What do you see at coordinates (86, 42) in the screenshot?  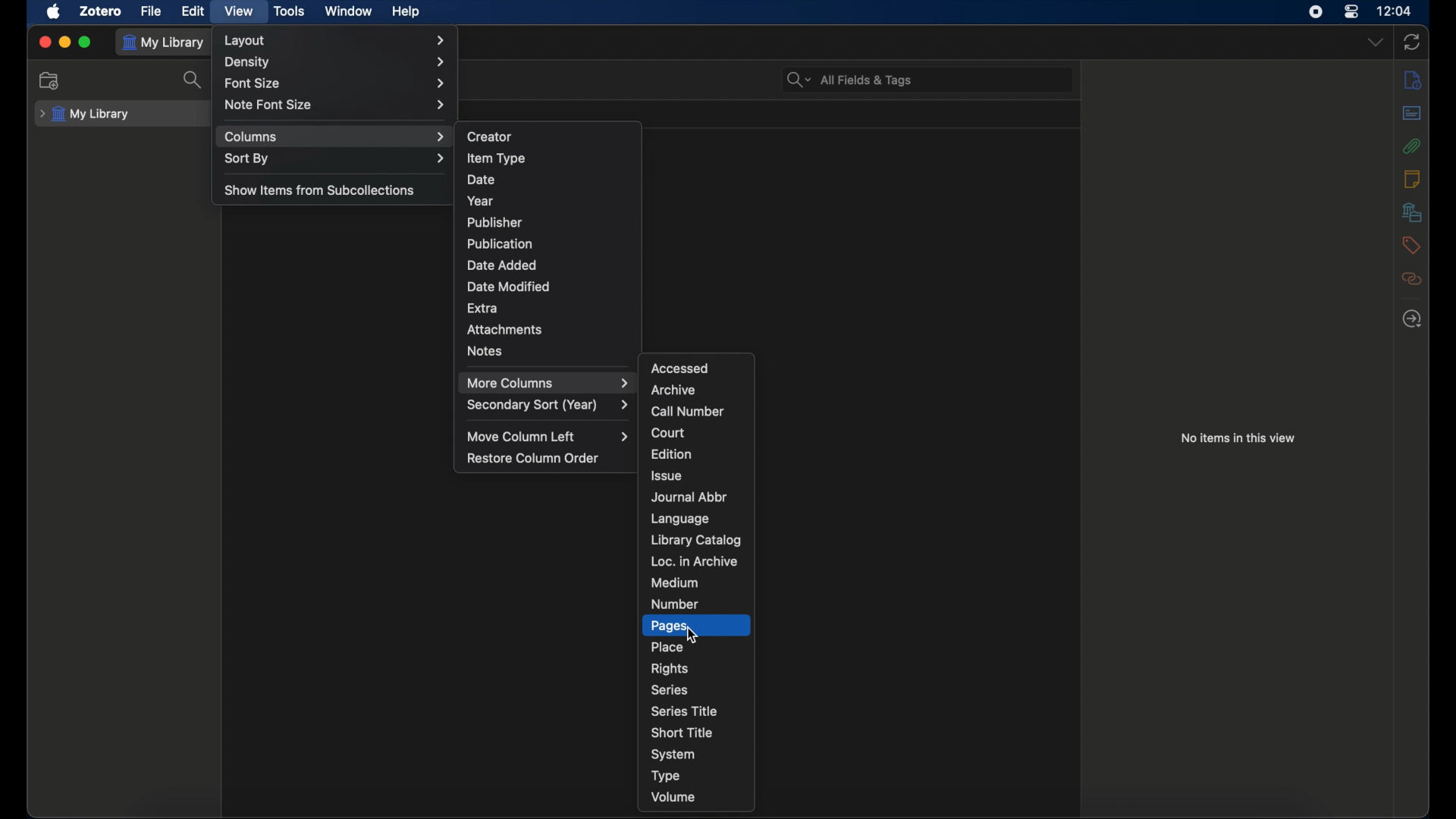 I see `maximize` at bounding box center [86, 42].